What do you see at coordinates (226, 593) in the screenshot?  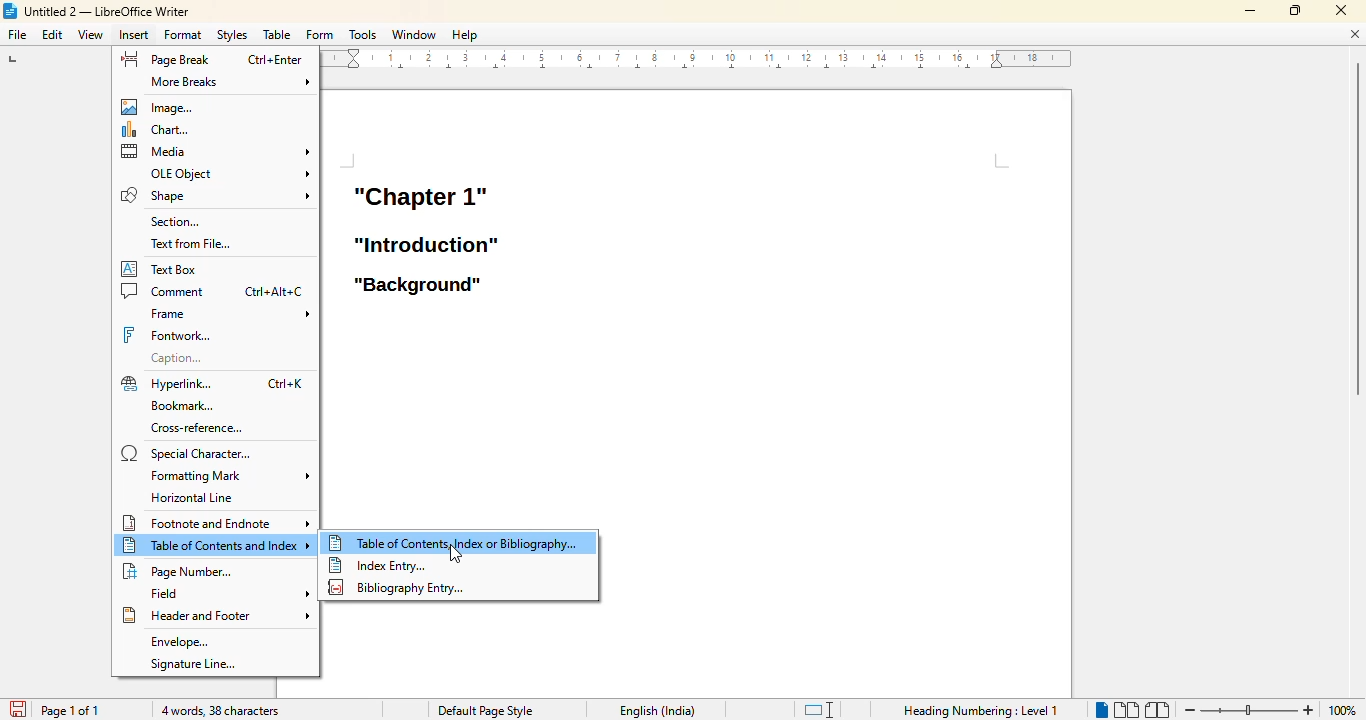 I see `field` at bounding box center [226, 593].